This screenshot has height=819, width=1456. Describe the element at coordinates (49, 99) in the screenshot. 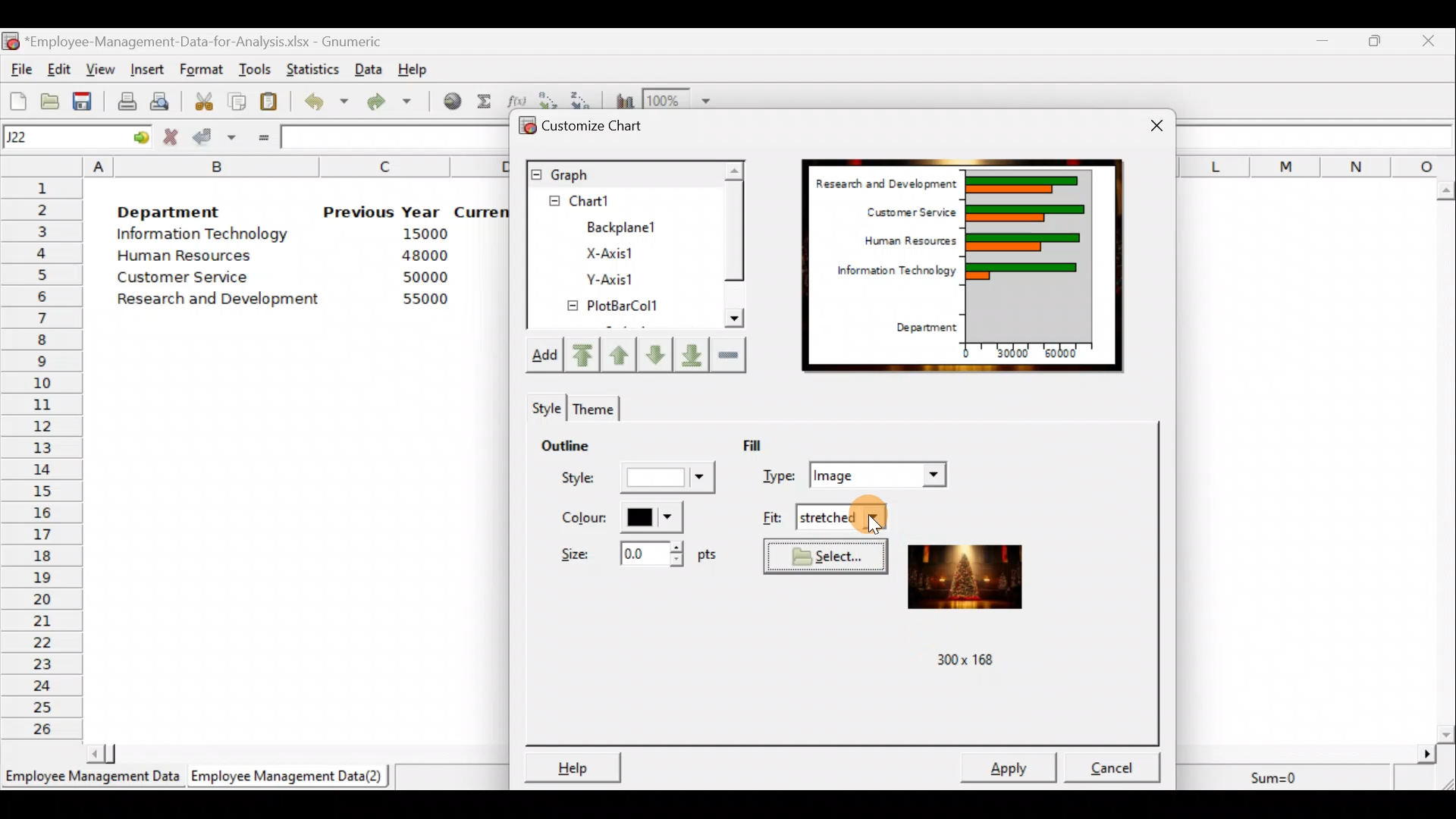

I see `Open a file` at that location.